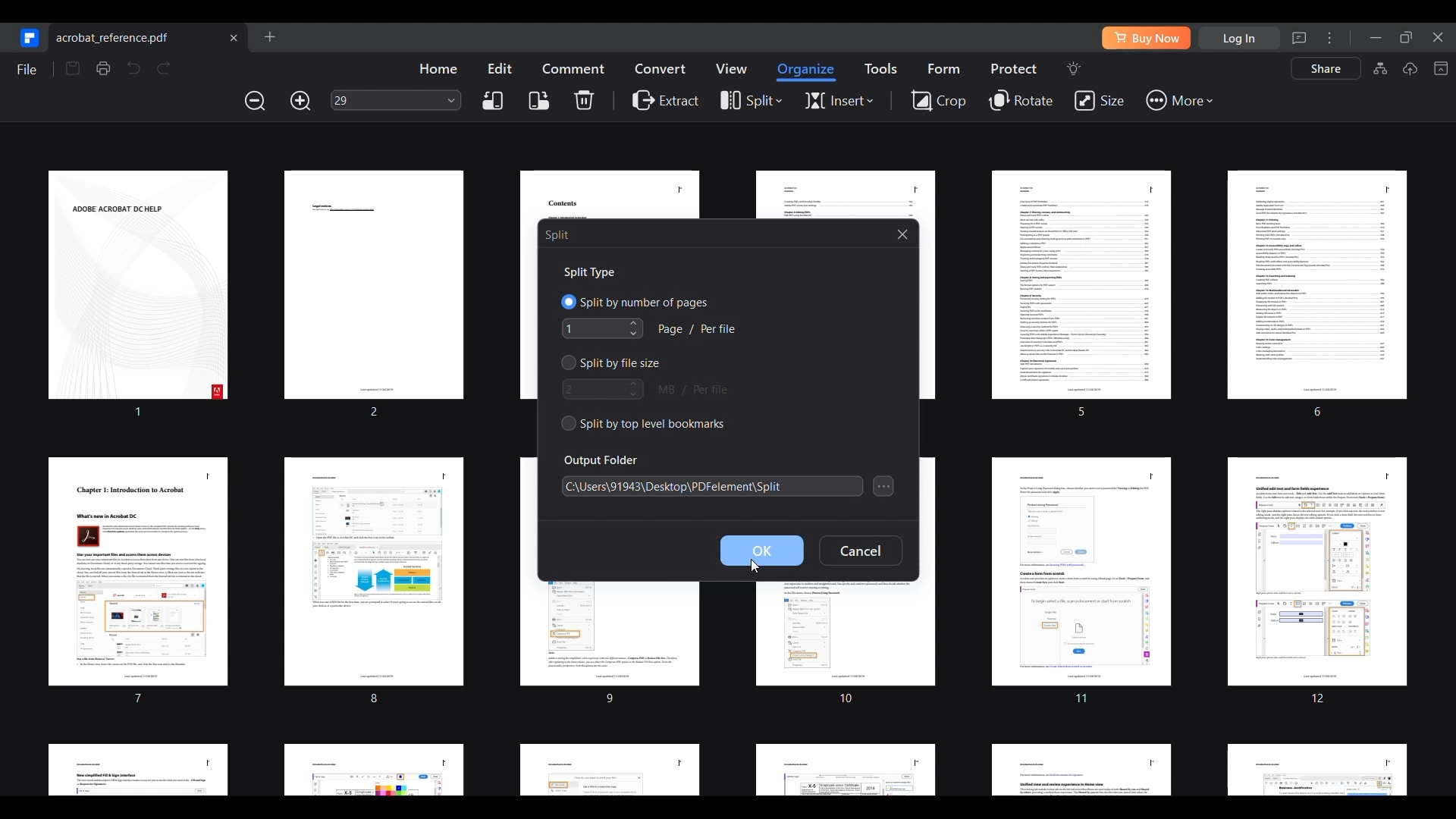  Describe the element at coordinates (573, 68) in the screenshot. I see `Comment` at that location.